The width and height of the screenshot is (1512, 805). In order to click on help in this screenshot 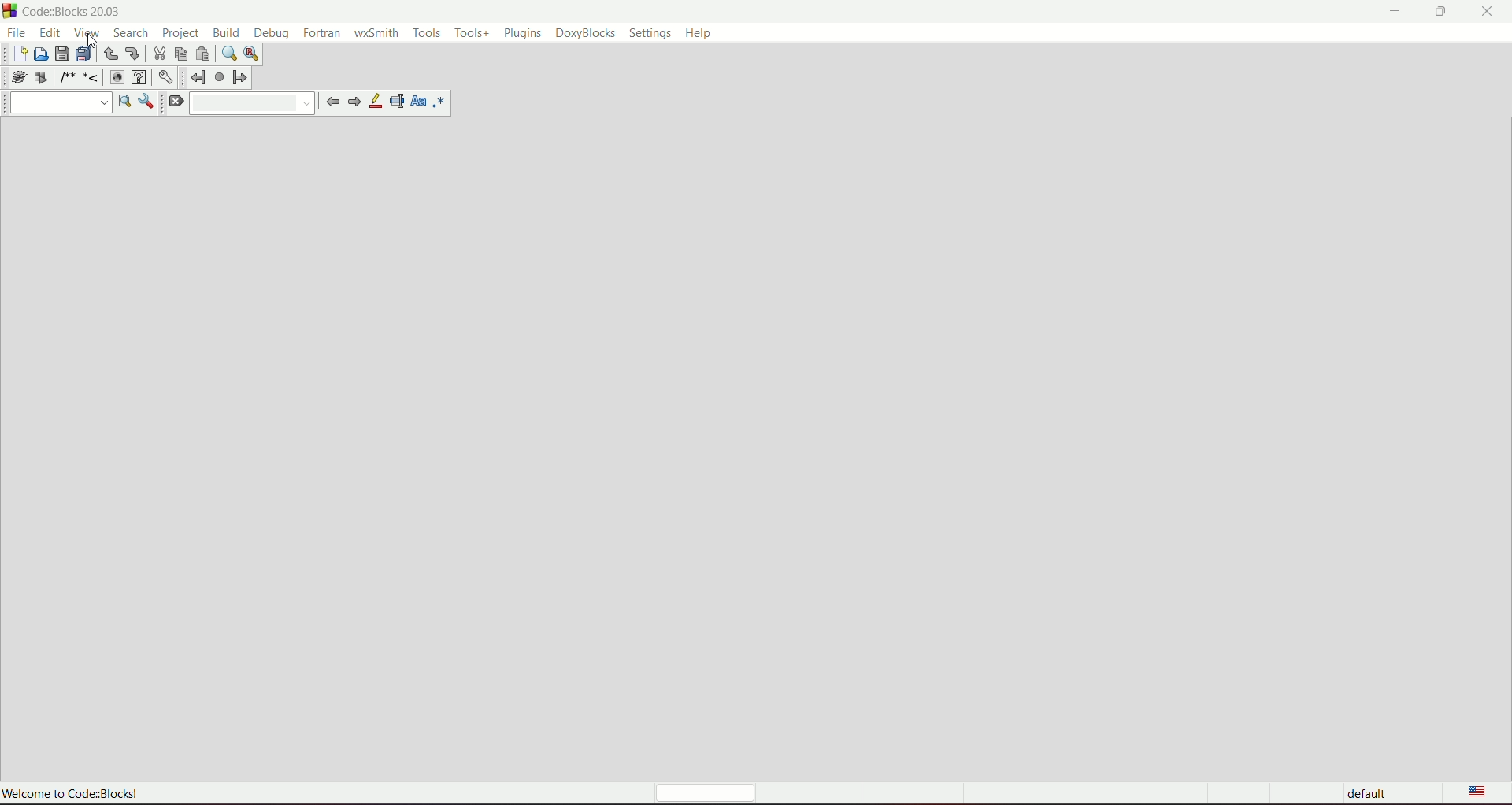, I will do `click(697, 34)`.